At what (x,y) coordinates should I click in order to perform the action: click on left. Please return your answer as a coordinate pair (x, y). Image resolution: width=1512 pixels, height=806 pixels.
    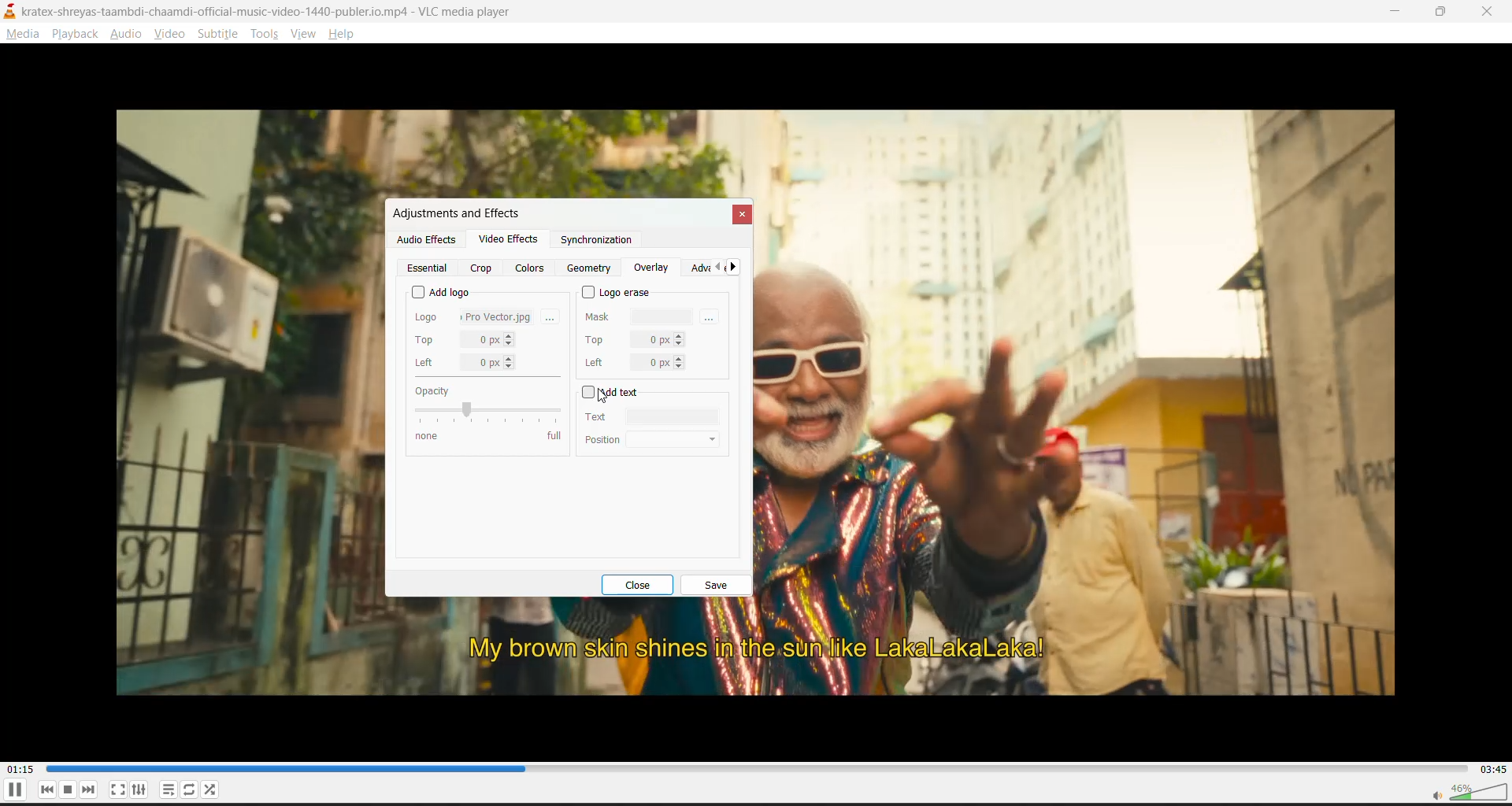
    Looking at the image, I should click on (633, 362).